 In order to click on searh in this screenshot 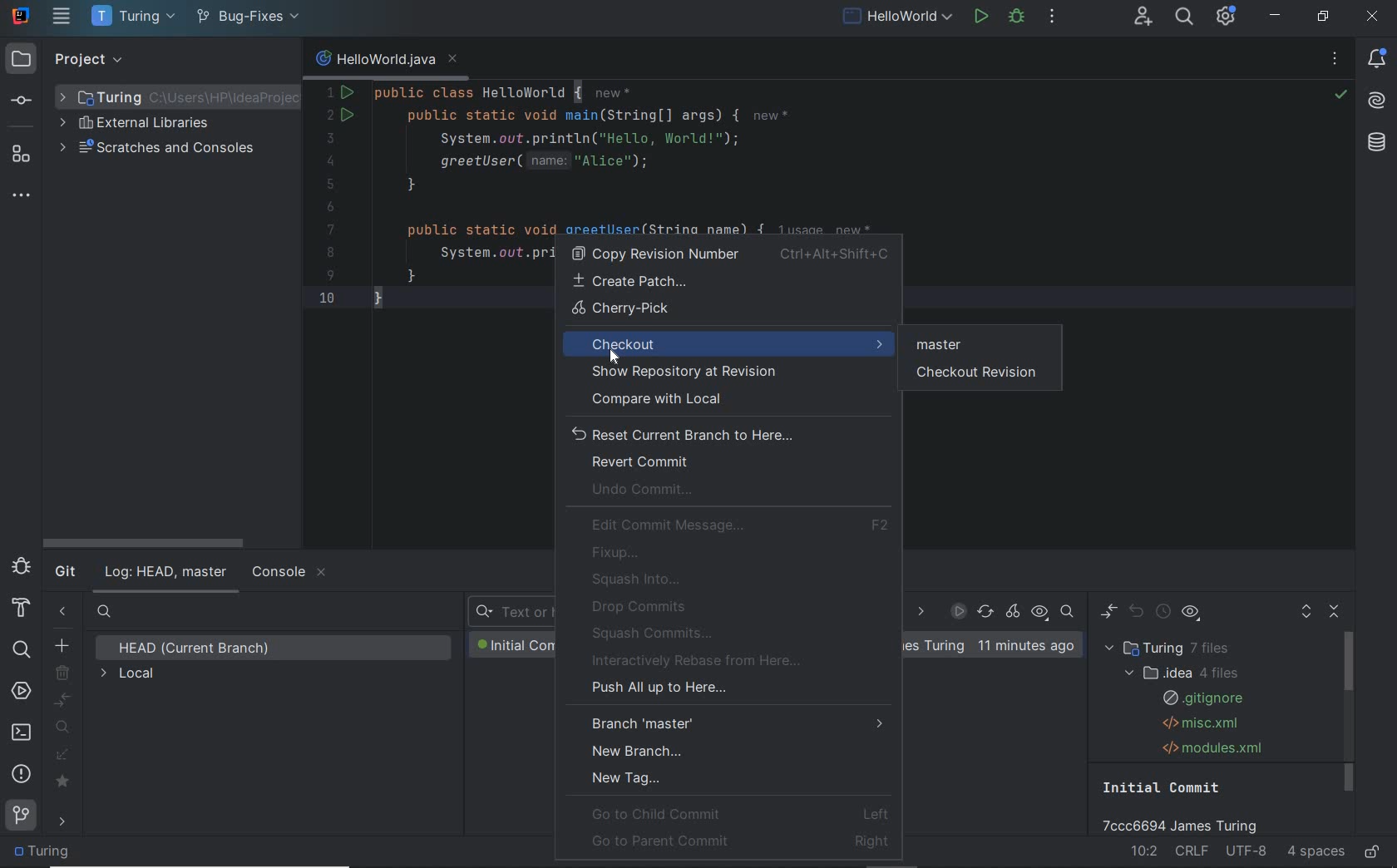, I will do `click(105, 614)`.